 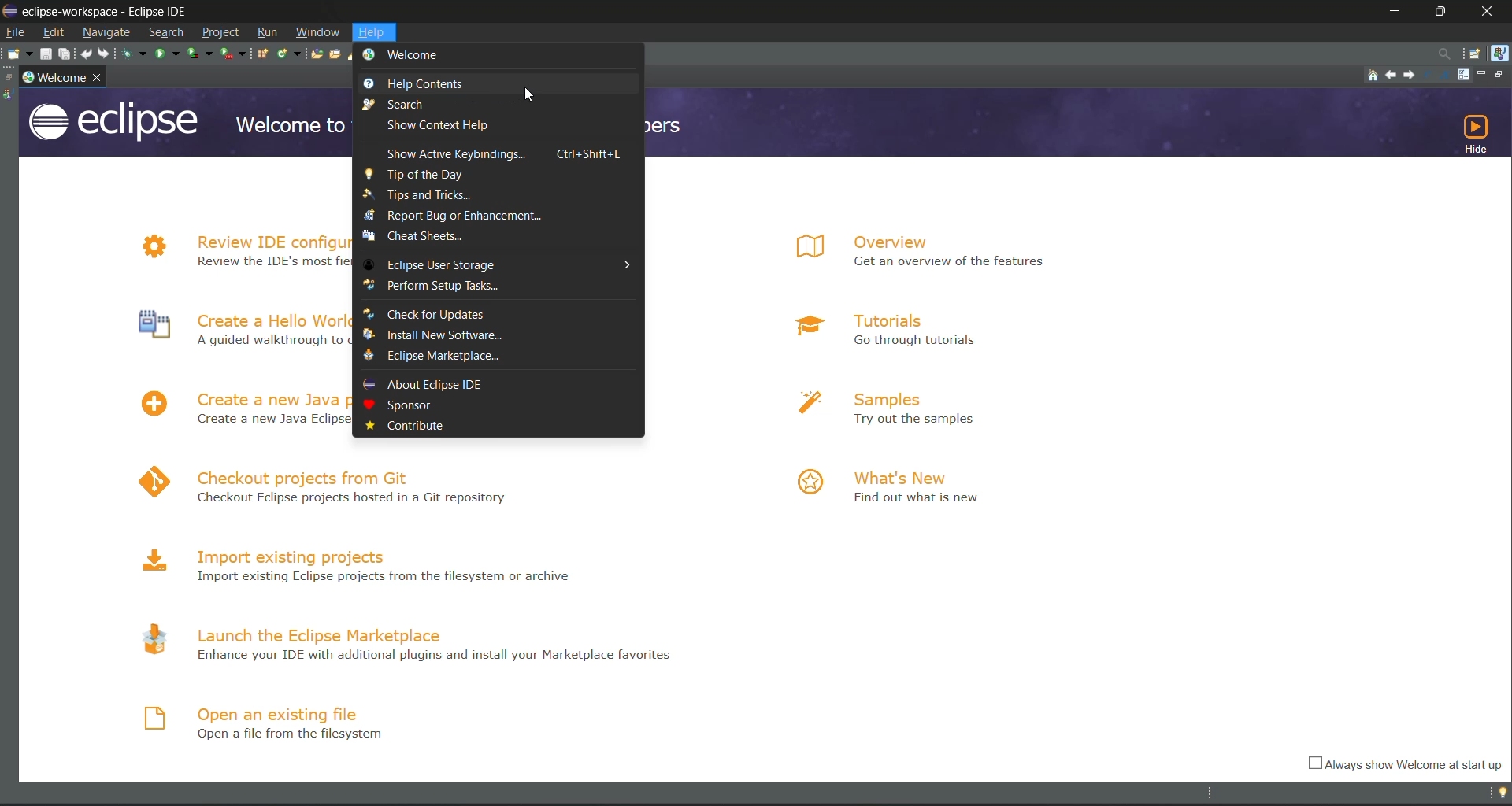 I want to click on minimize, so click(x=1486, y=76).